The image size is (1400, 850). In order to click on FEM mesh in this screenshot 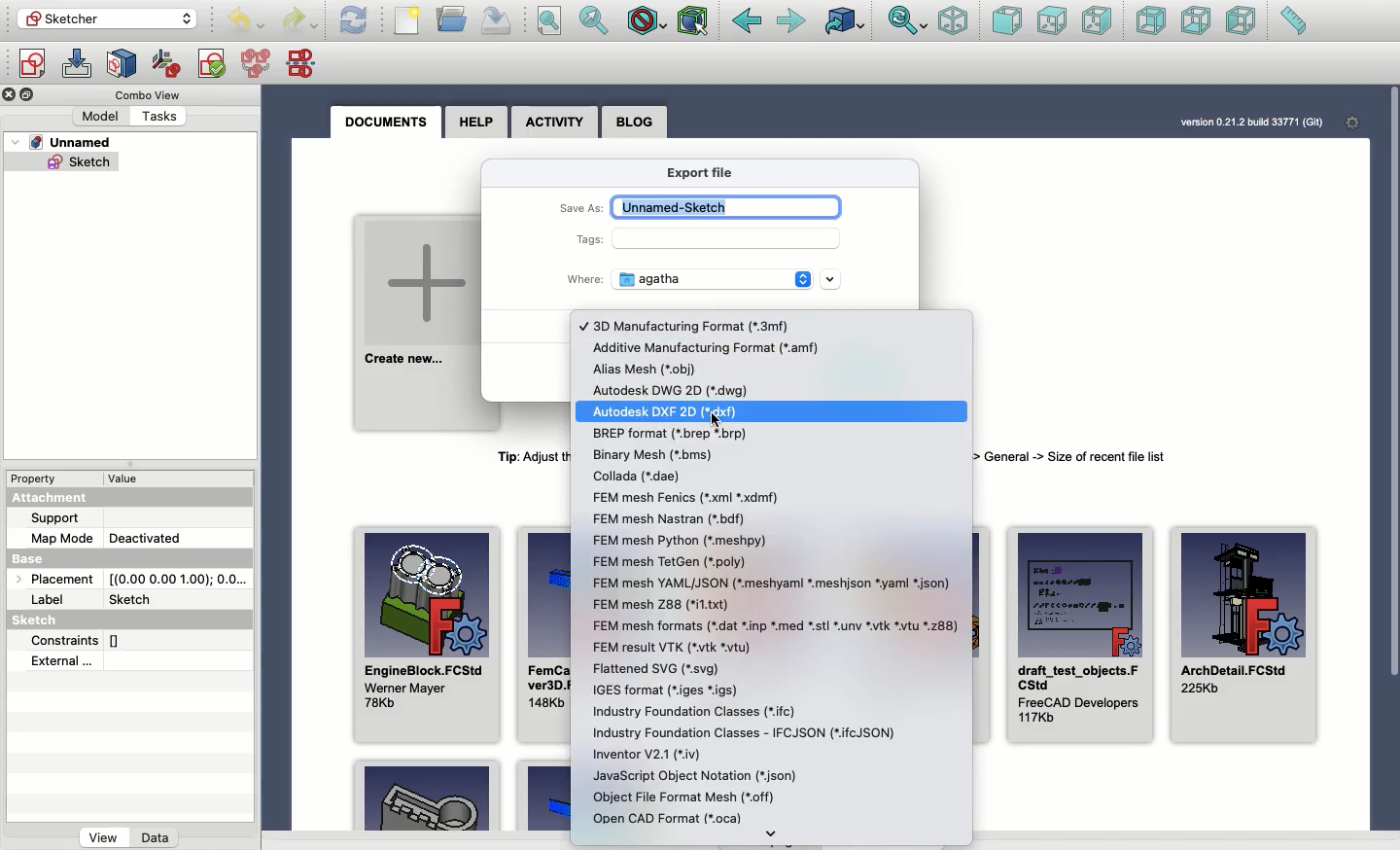, I will do `click(671, 562)`.